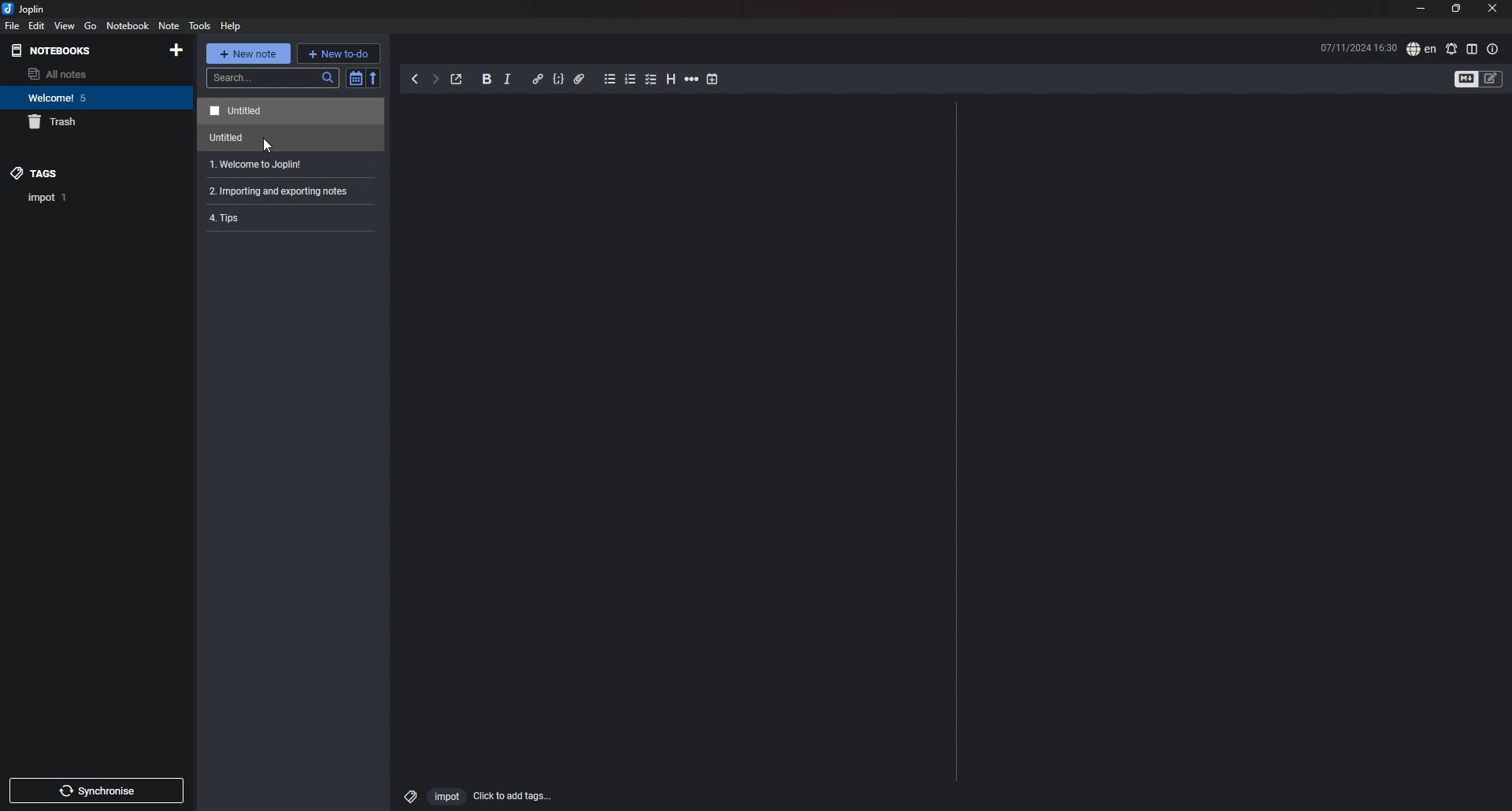  I want to click on joplin, so click(27, 9).